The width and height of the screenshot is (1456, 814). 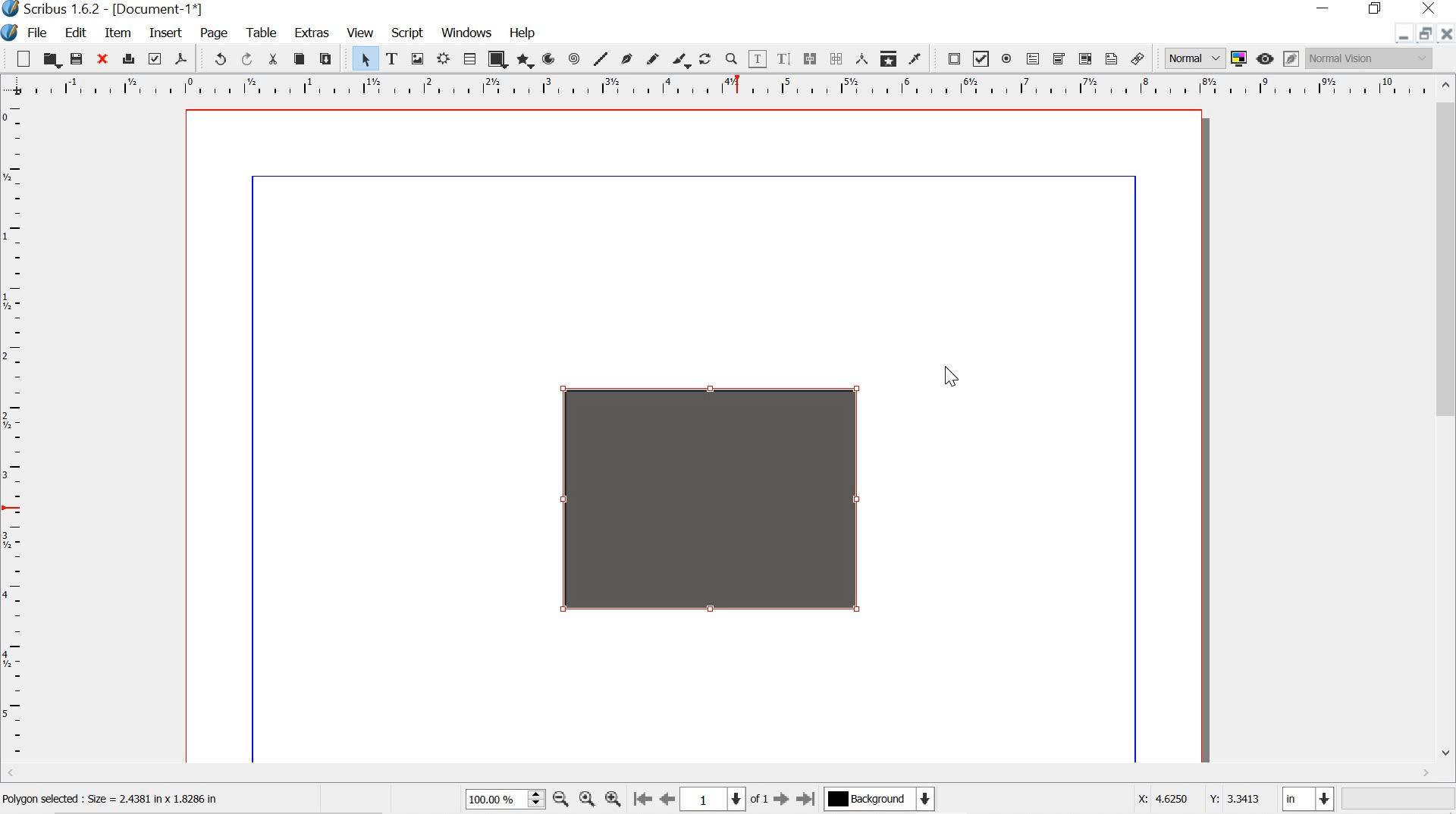 What do you see at coordinates (642, 800) in the screenshot?
I see `go to first page` at bounding box center [642, 800].